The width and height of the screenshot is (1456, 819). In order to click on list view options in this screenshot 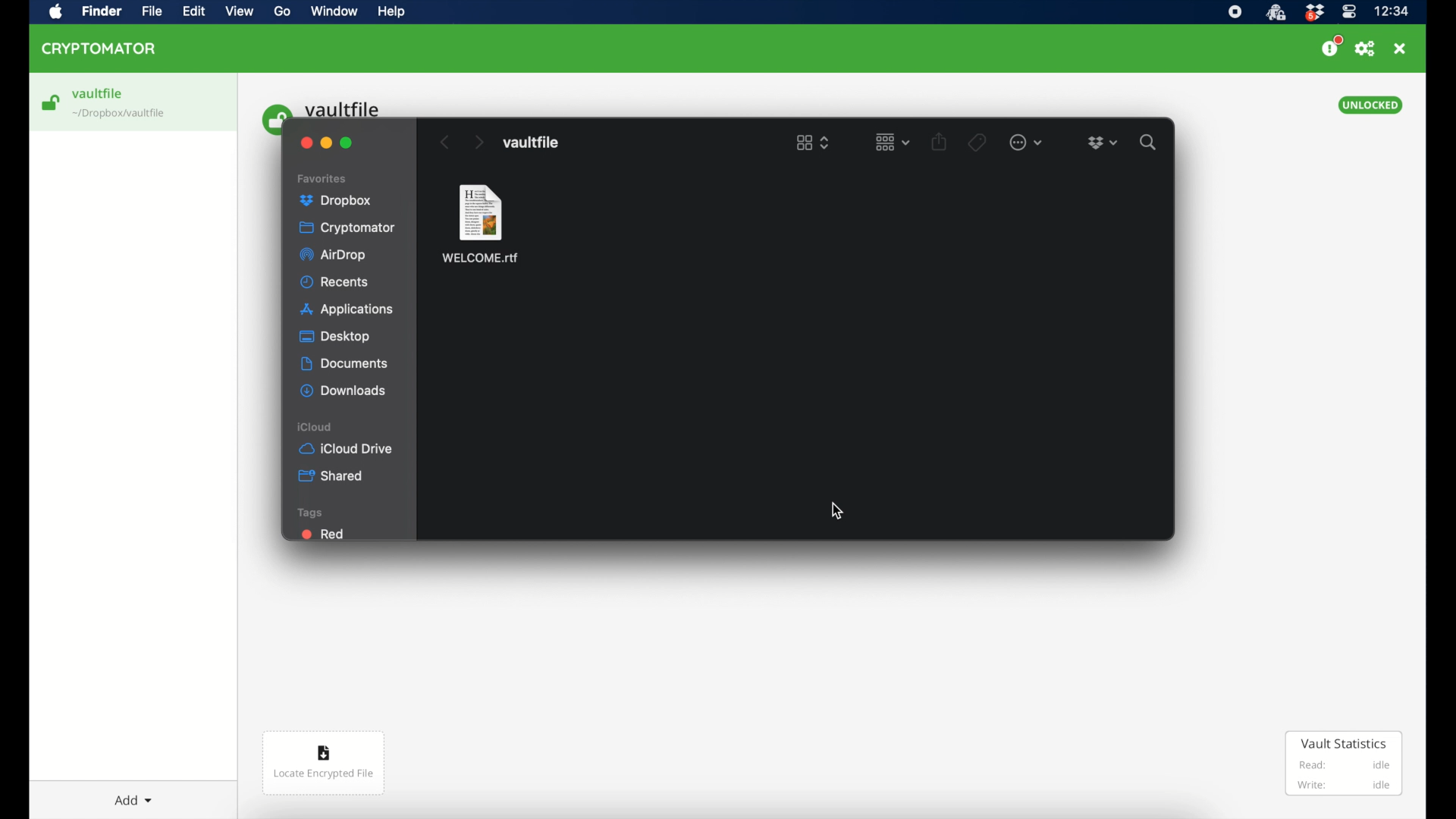, I will do `click(813, 143)`.